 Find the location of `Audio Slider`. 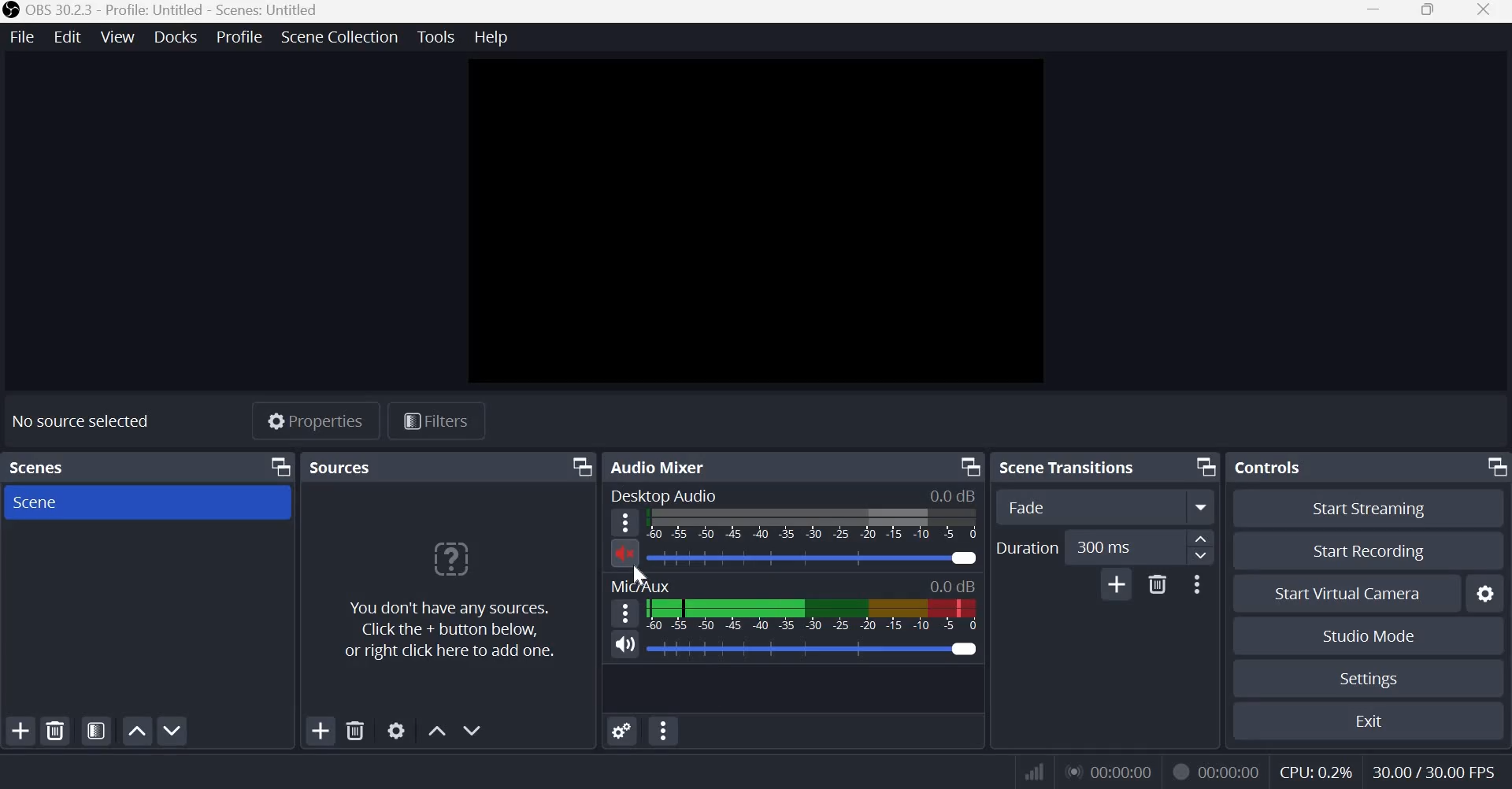

Audio Slider is located at coordinates (962, 558).